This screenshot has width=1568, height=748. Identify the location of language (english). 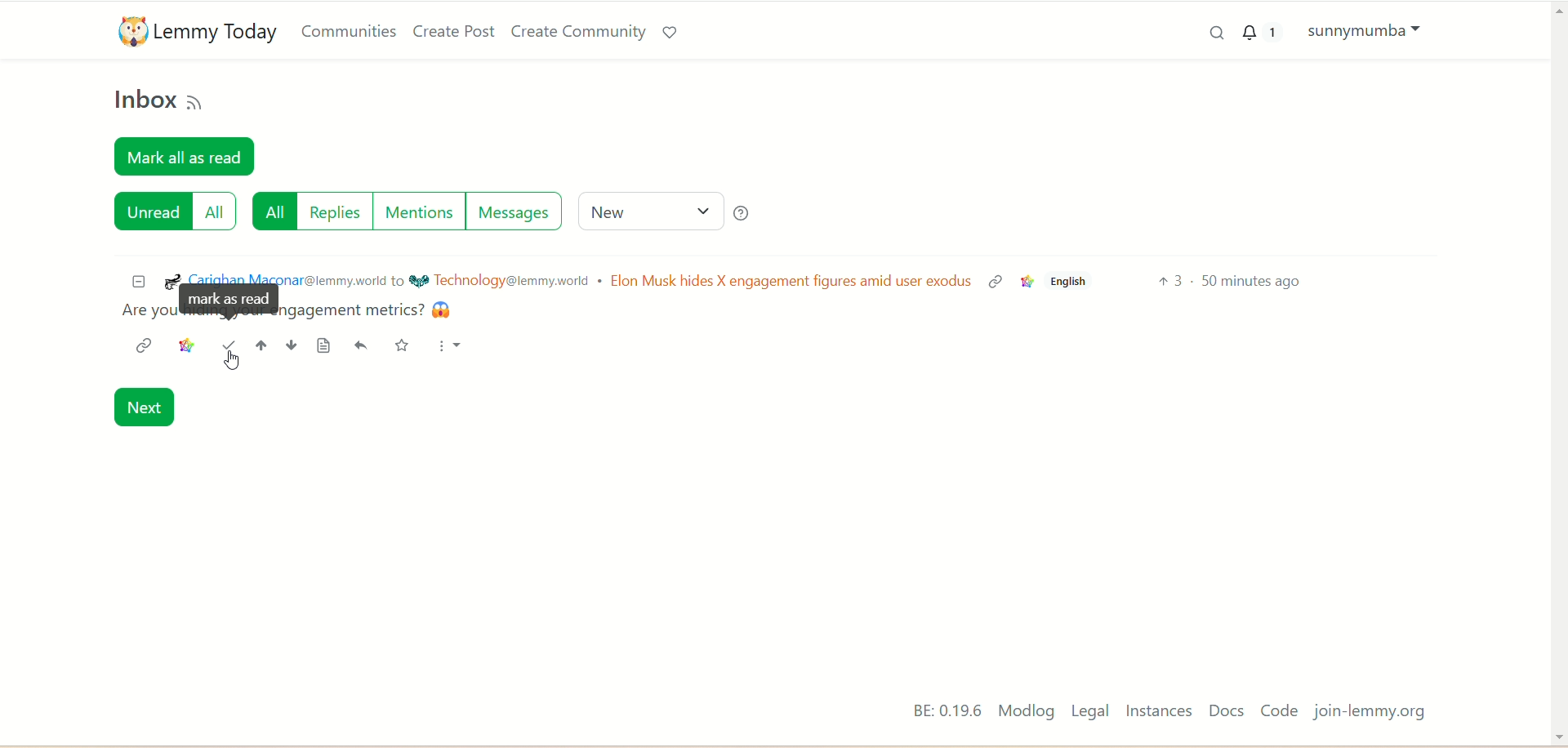
(1071, 283).